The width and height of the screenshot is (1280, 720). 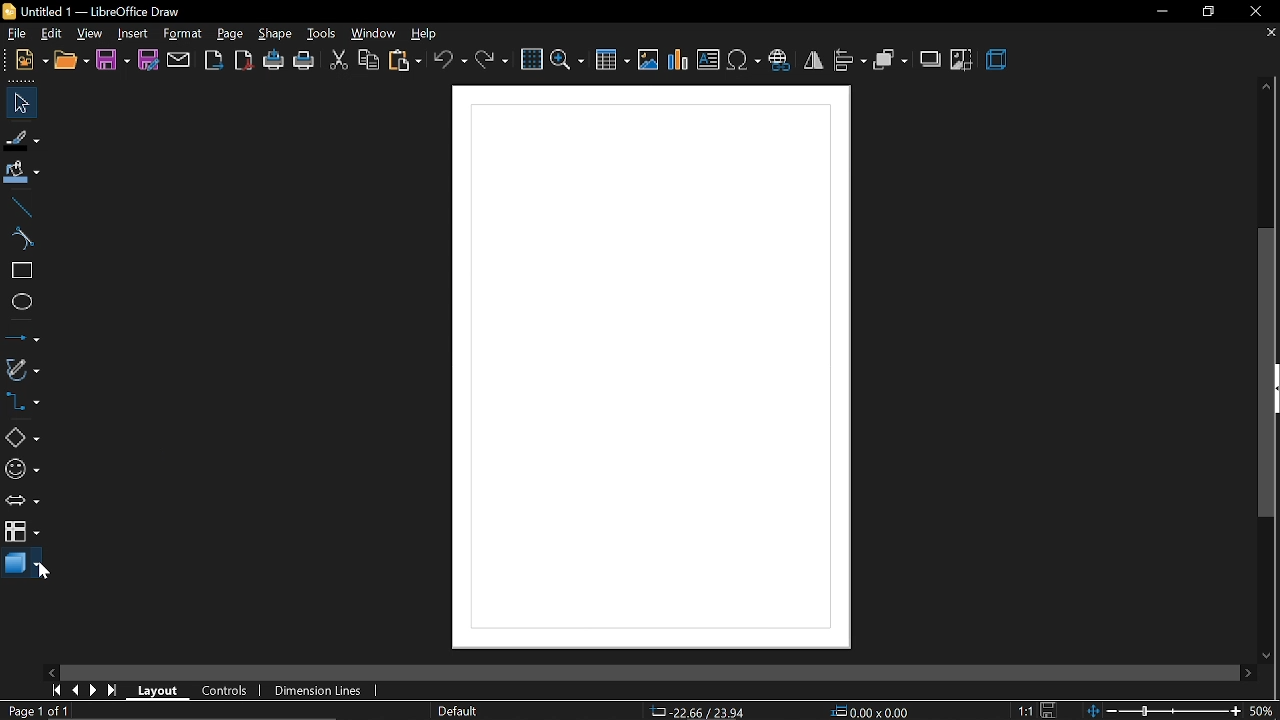 I want to click on close, so click(x=1253, y=11).